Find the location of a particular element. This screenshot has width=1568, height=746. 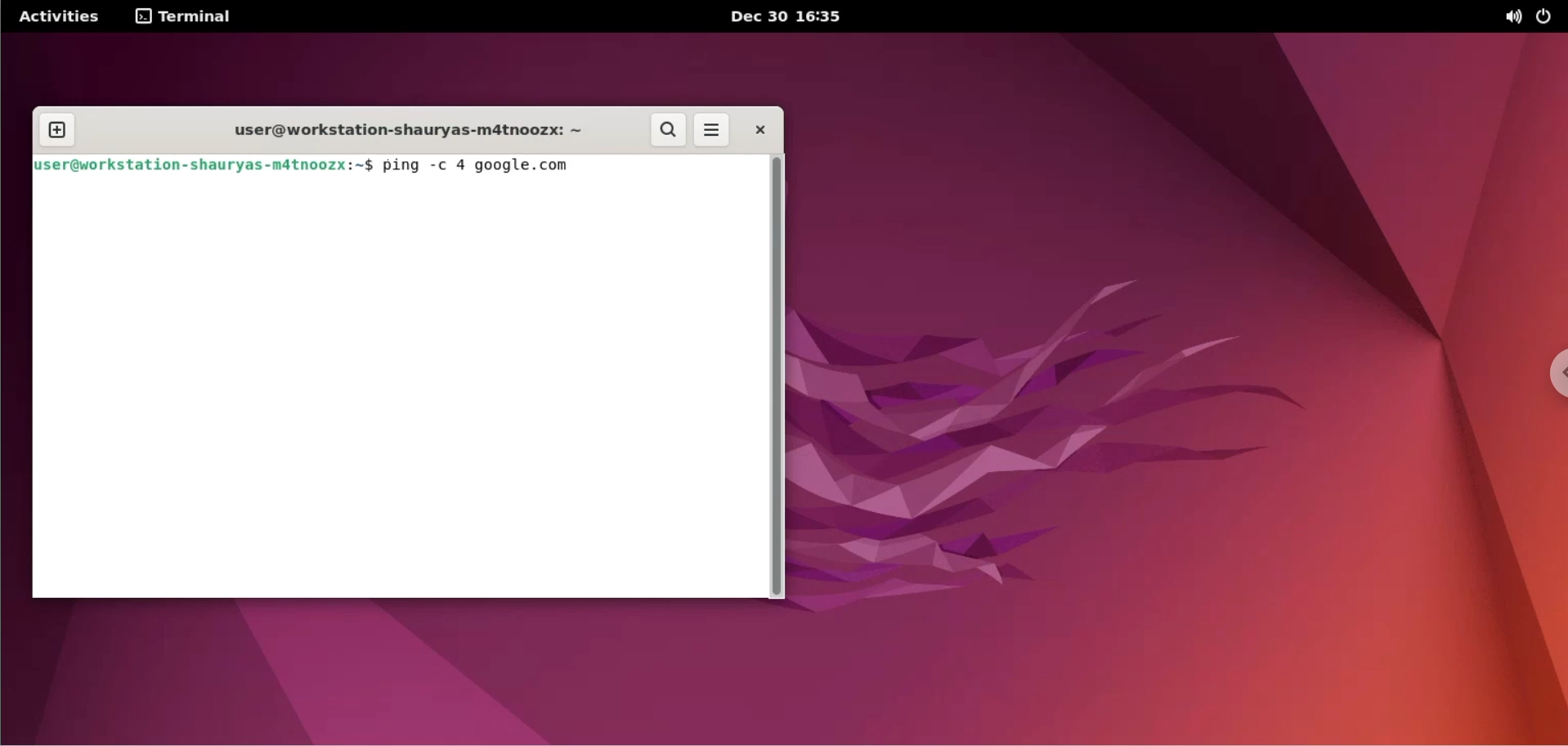

new tab is located at coordinates (56, 131).